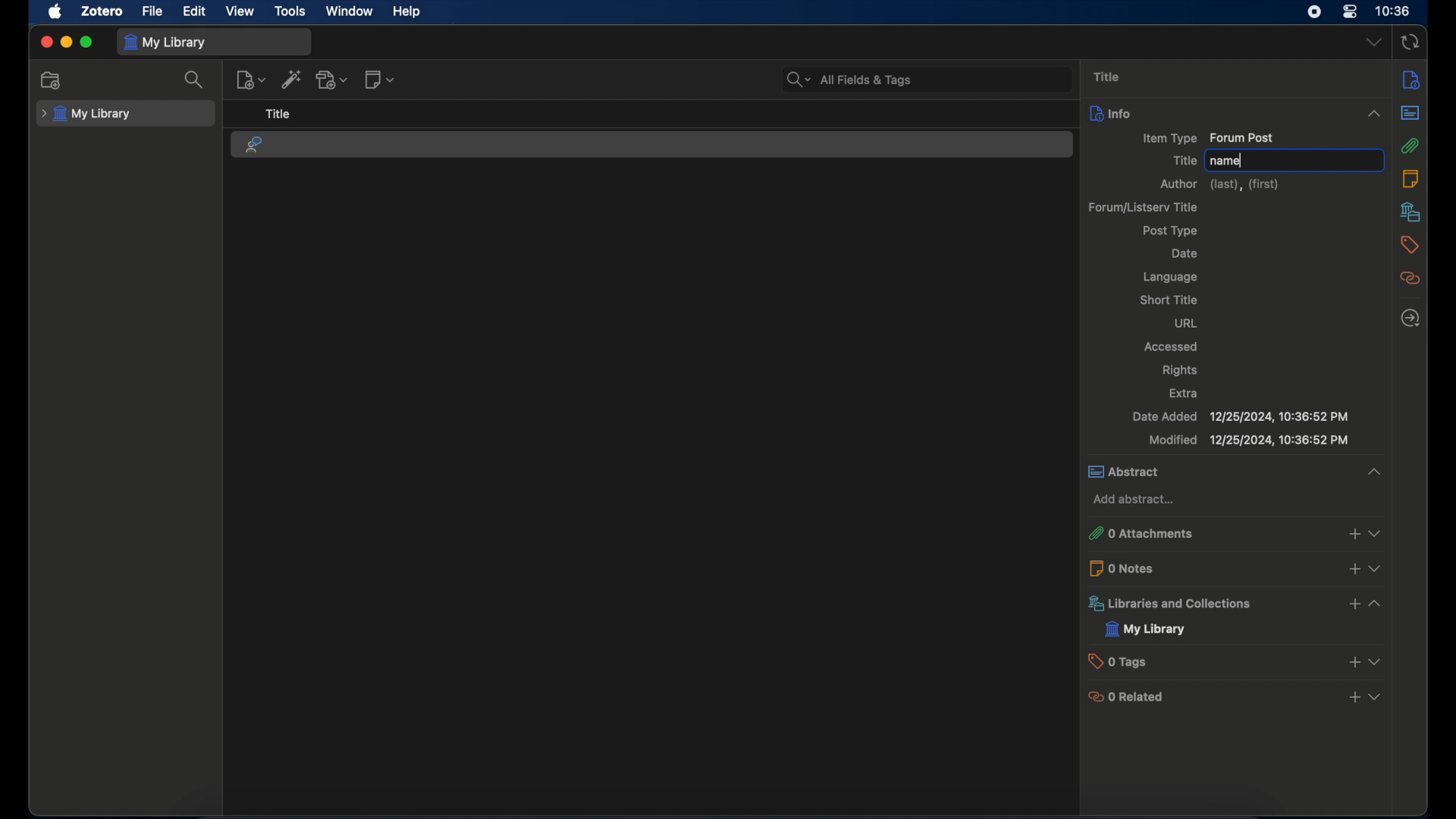 The height and width of the screenshot is (819, 1456). What do you see at coordinates (1186, 322) in the screenshot?
I see `url` at bounding box center [1186, 322].